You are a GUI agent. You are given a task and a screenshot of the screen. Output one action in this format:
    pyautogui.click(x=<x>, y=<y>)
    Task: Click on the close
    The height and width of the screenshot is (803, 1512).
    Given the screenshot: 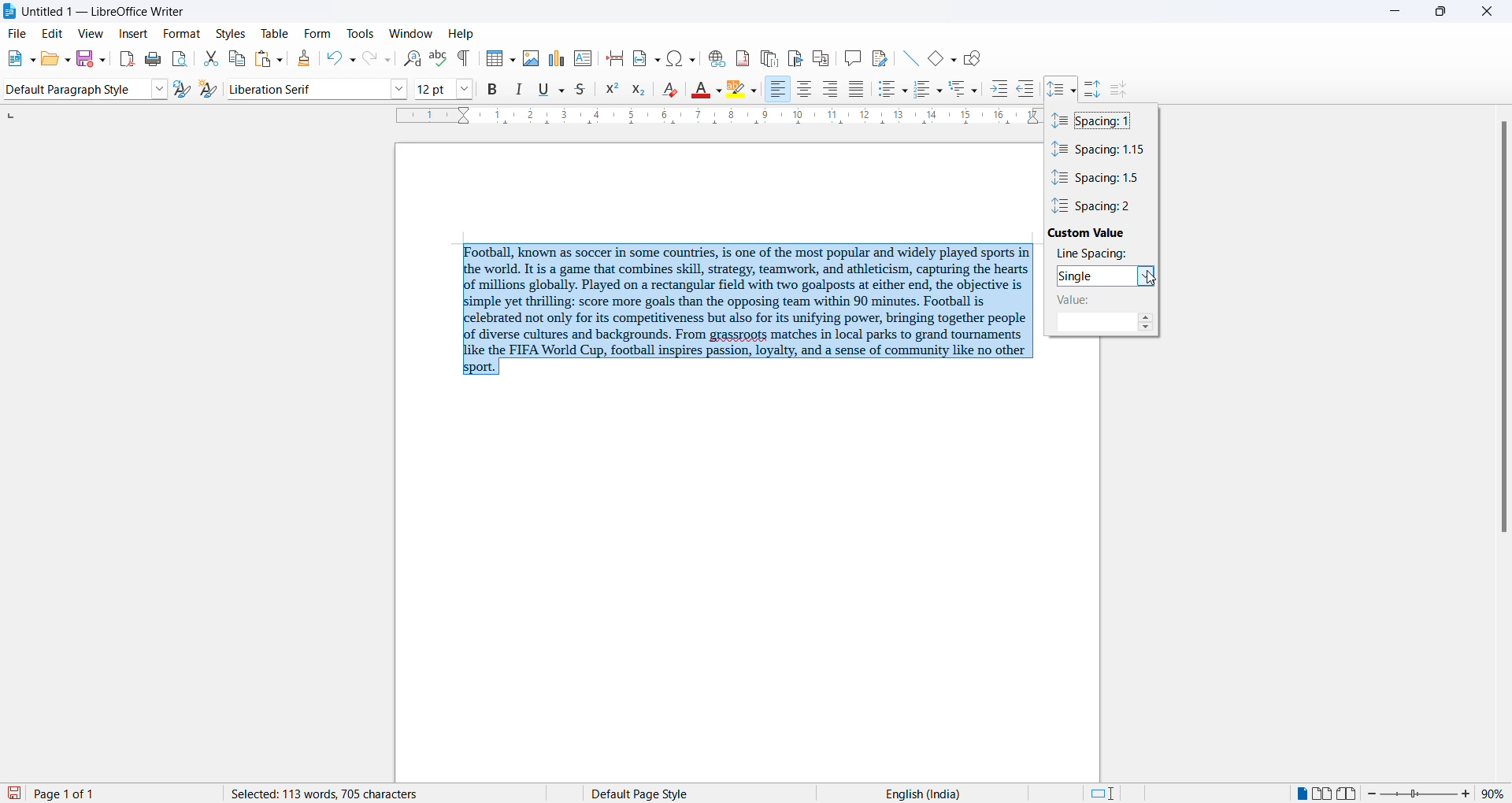 What is the action you would take?
    pyautogui.click(x=1489, y=13)
    